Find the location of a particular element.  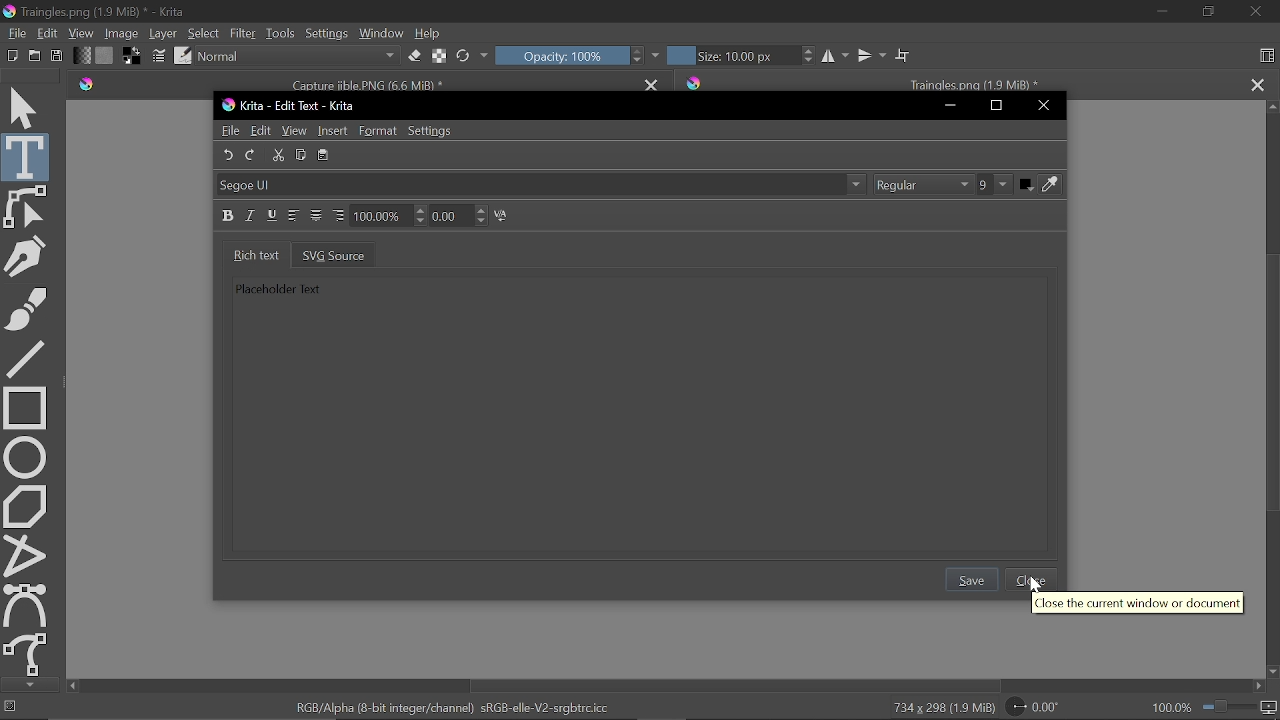

Line tool is located at coordinates (26, 357).